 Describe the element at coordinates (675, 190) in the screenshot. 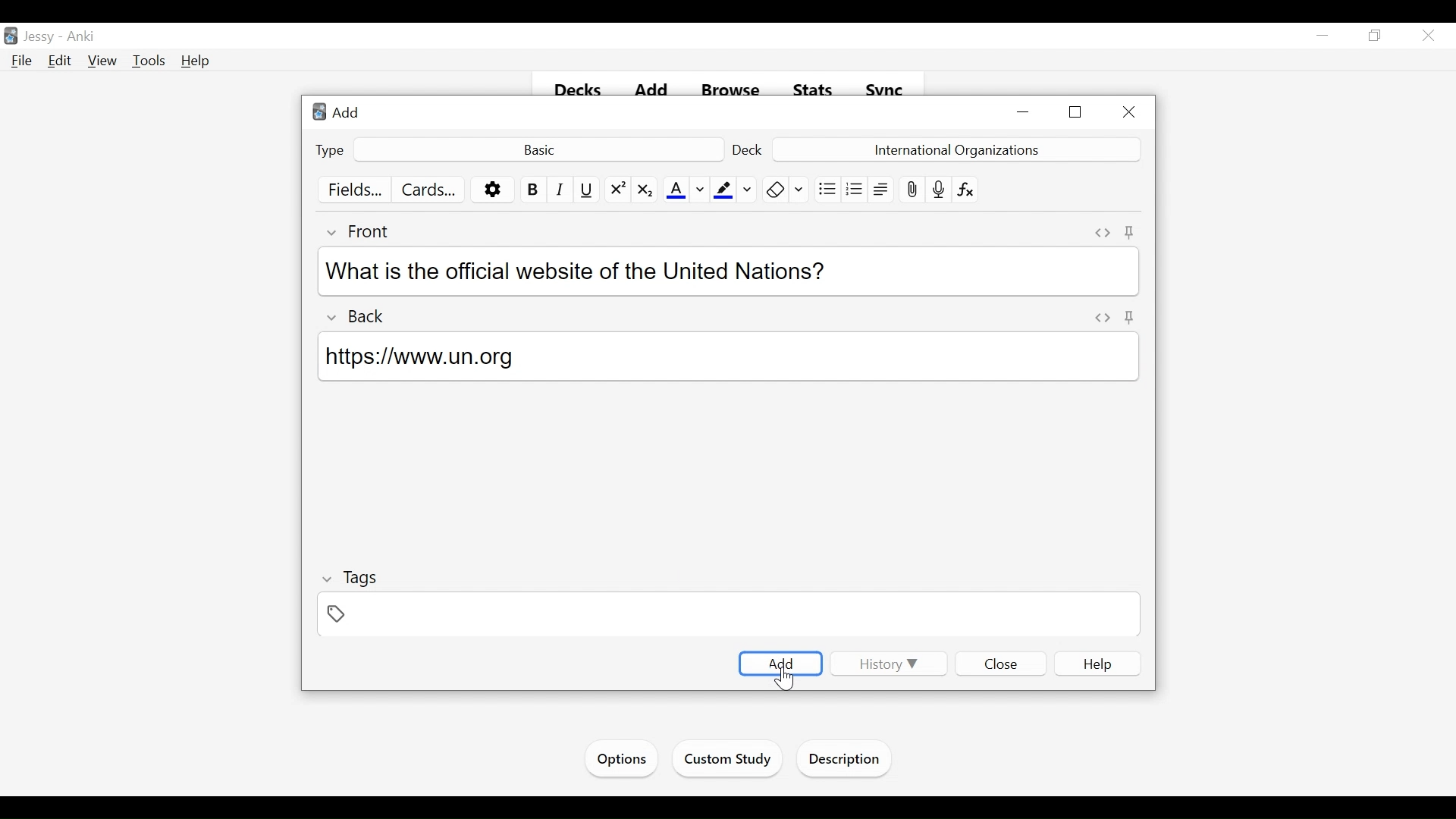

I see `Text Color` at that location.